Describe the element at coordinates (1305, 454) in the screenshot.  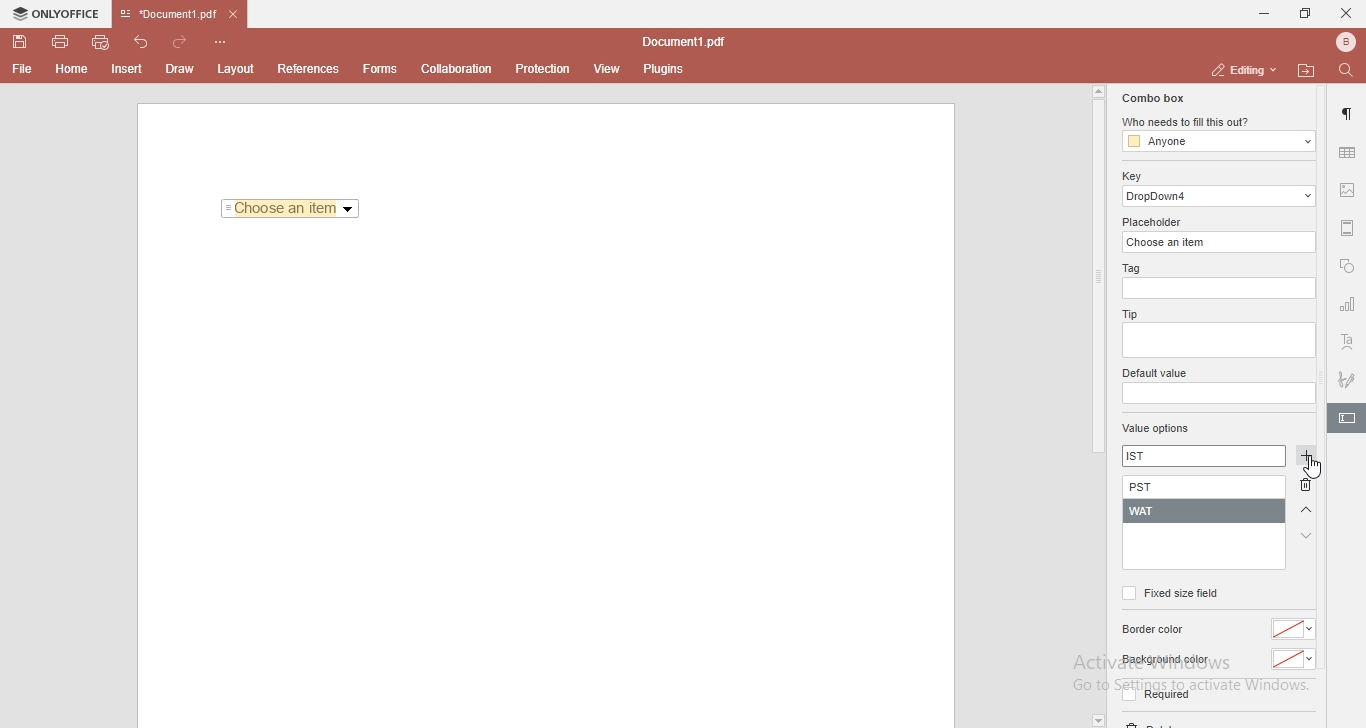
I see `add button ` at that location.